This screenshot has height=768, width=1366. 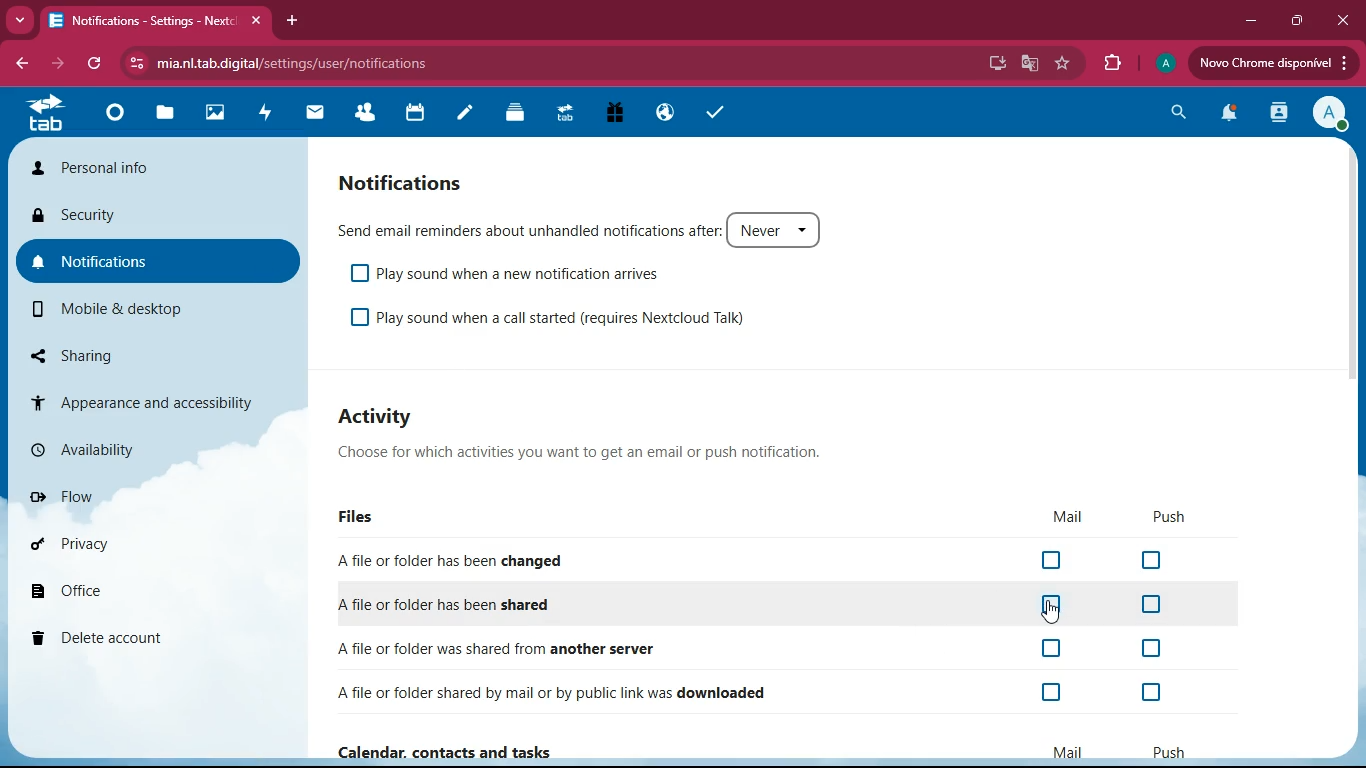 I want to click on notifications, so click(x=1225, y=115).